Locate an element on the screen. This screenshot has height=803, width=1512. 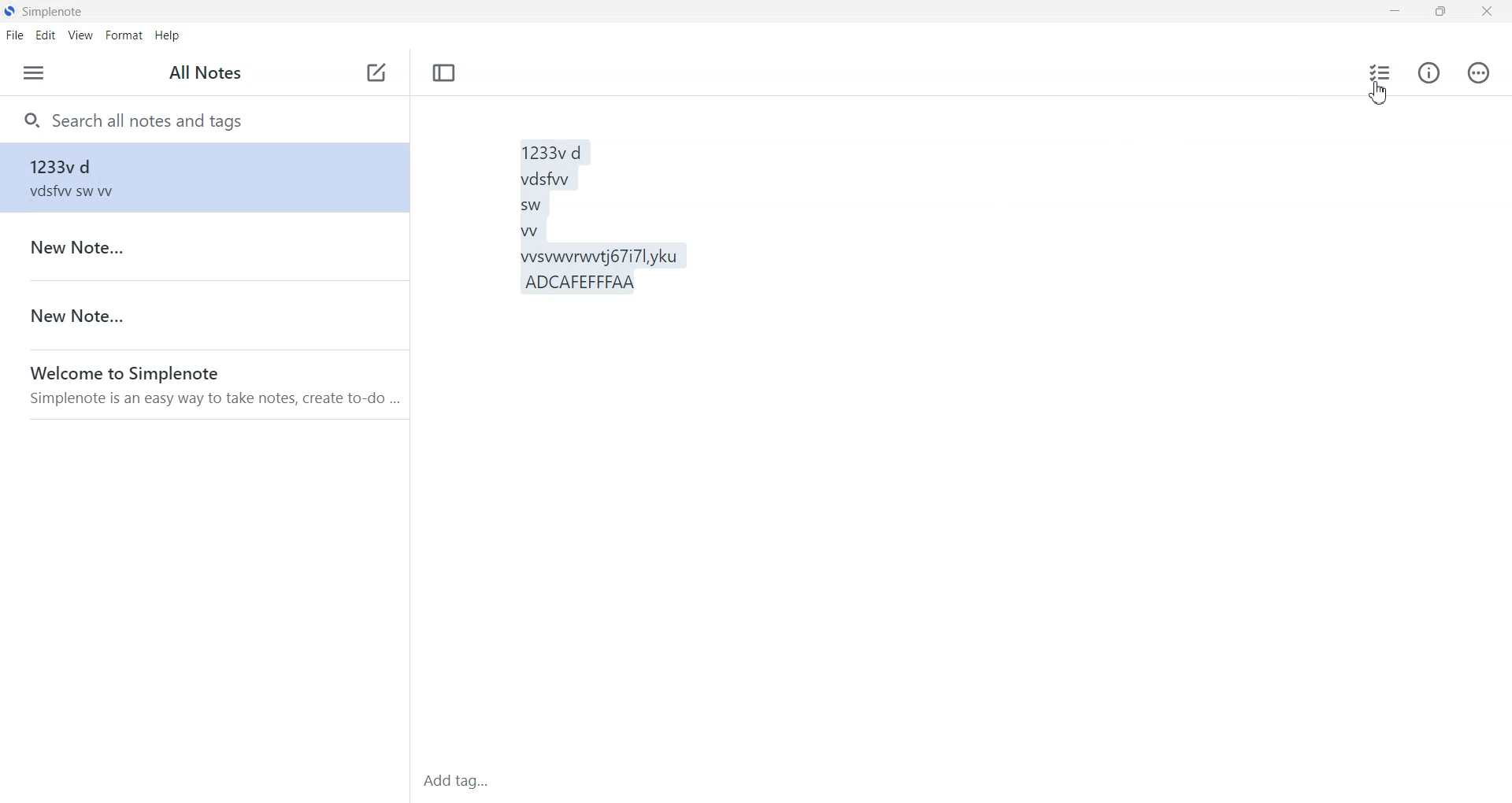
Maximize is located at coordinates (1439, 12).